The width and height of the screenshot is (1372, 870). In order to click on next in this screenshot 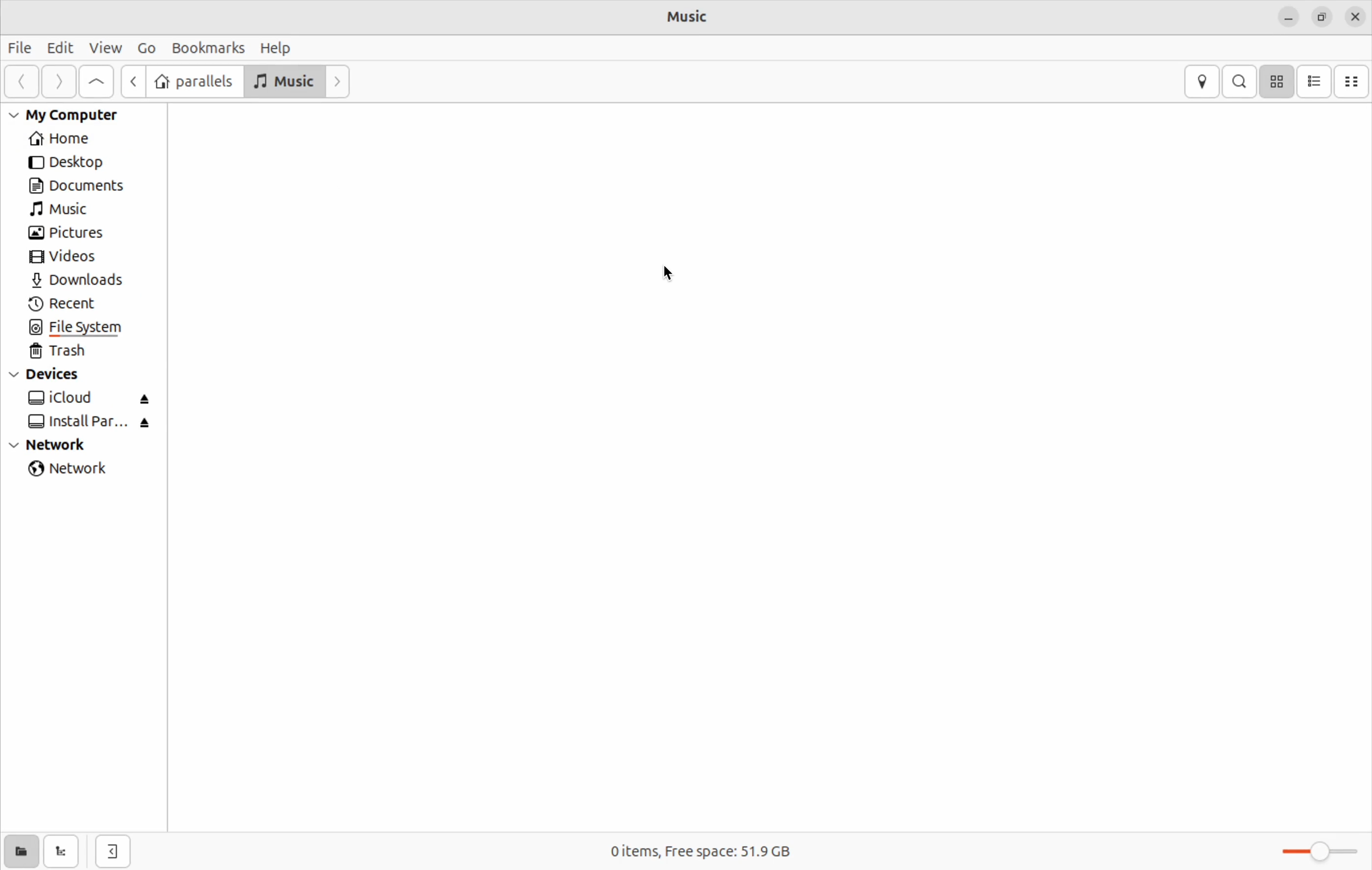, I will do `click(56, 81)`.